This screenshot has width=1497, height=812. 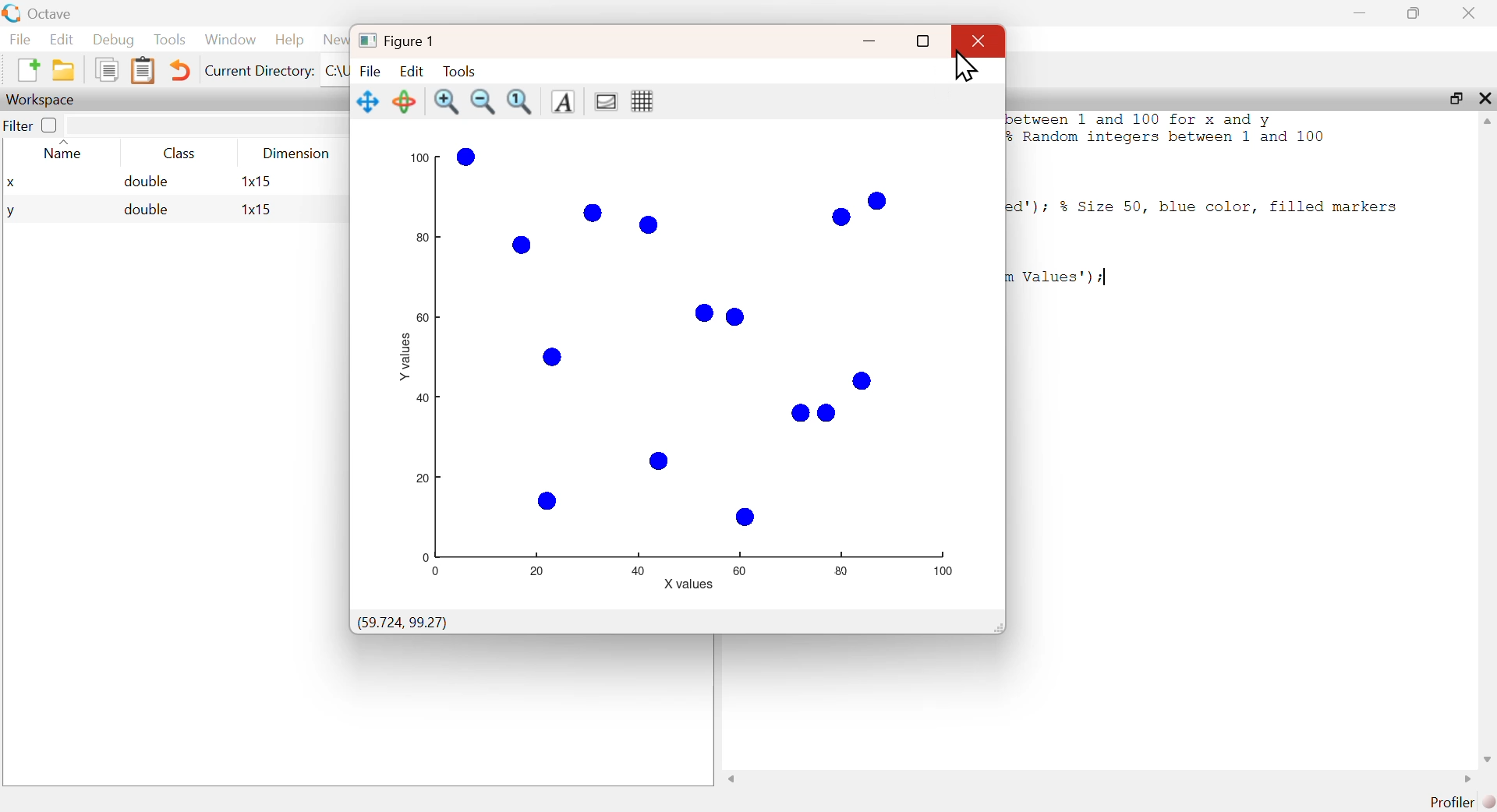 I want to click on Octave, so click(x=54, y=14).